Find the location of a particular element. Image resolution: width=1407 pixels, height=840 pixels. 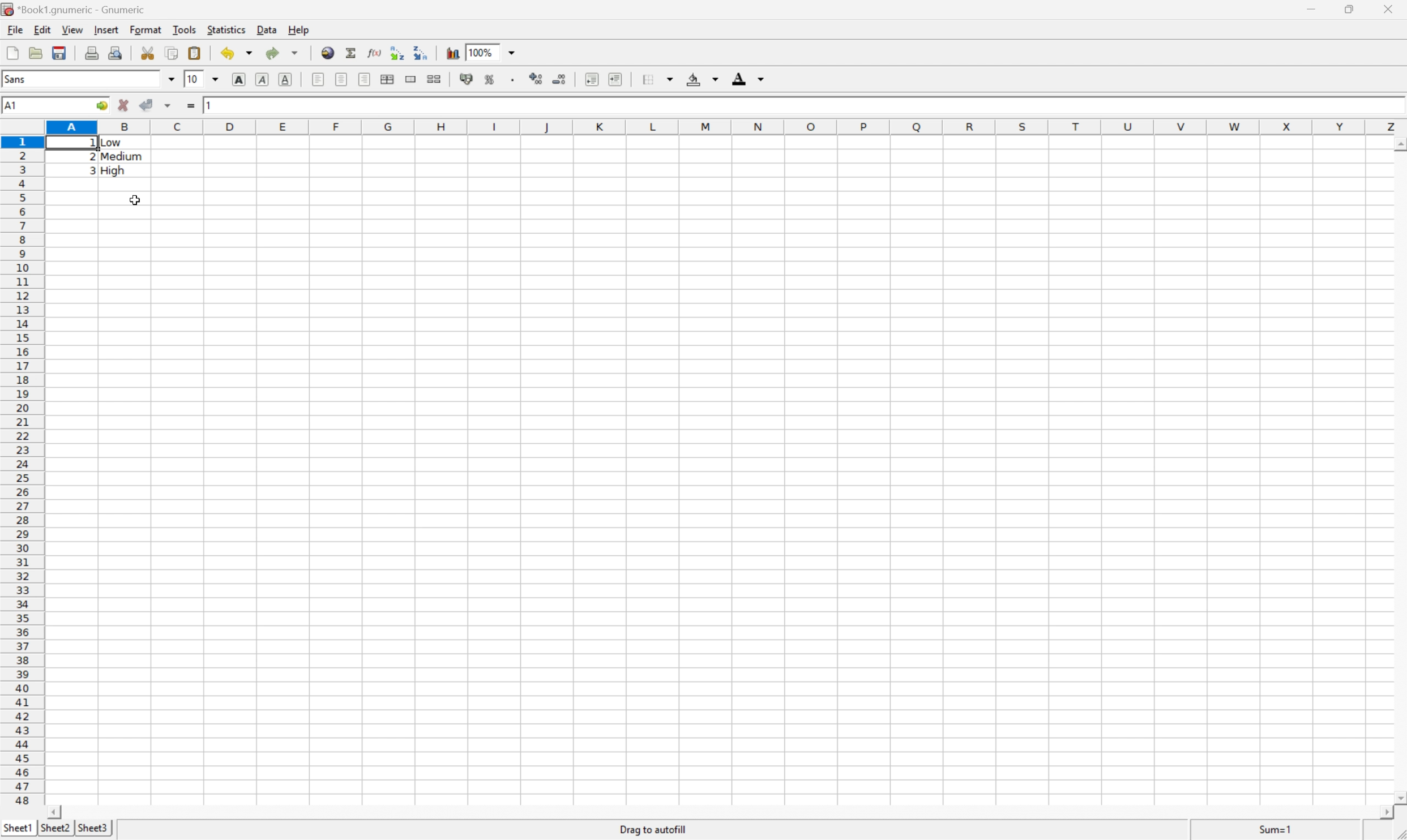

Split the ranges of merged cells is located at coordinates (434, 80).